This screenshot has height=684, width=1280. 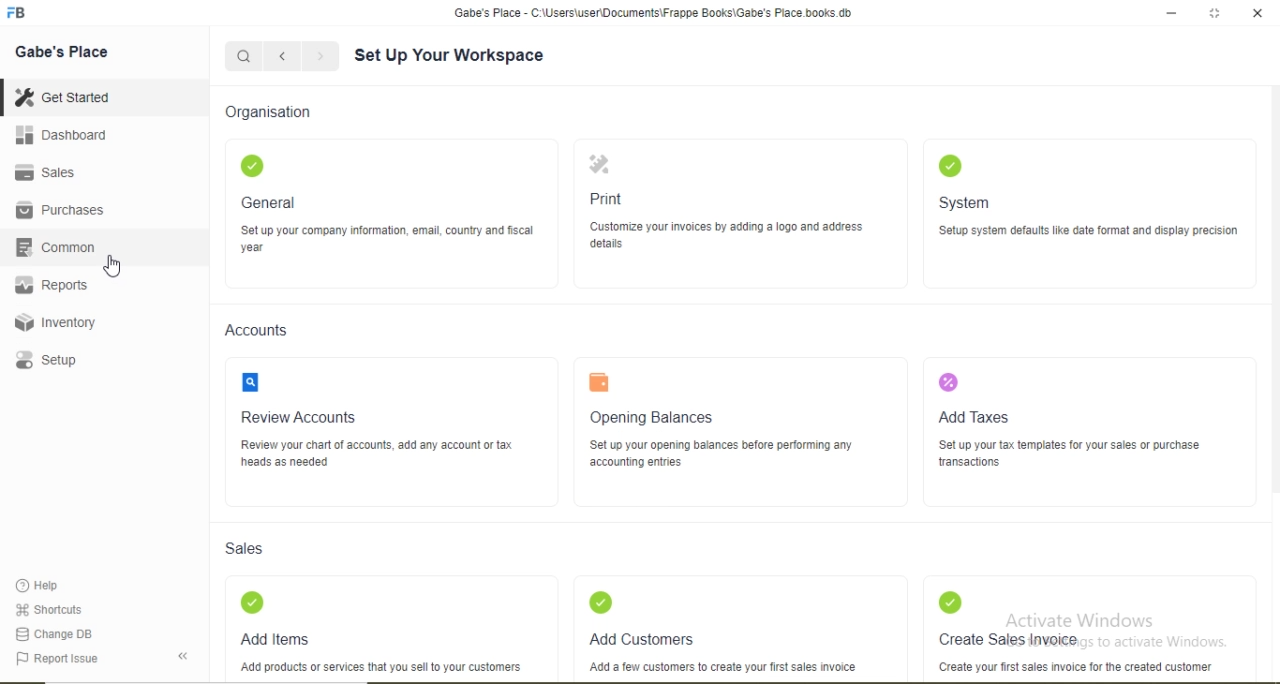 I want to click on Add Items, so click(x=275, y=639).